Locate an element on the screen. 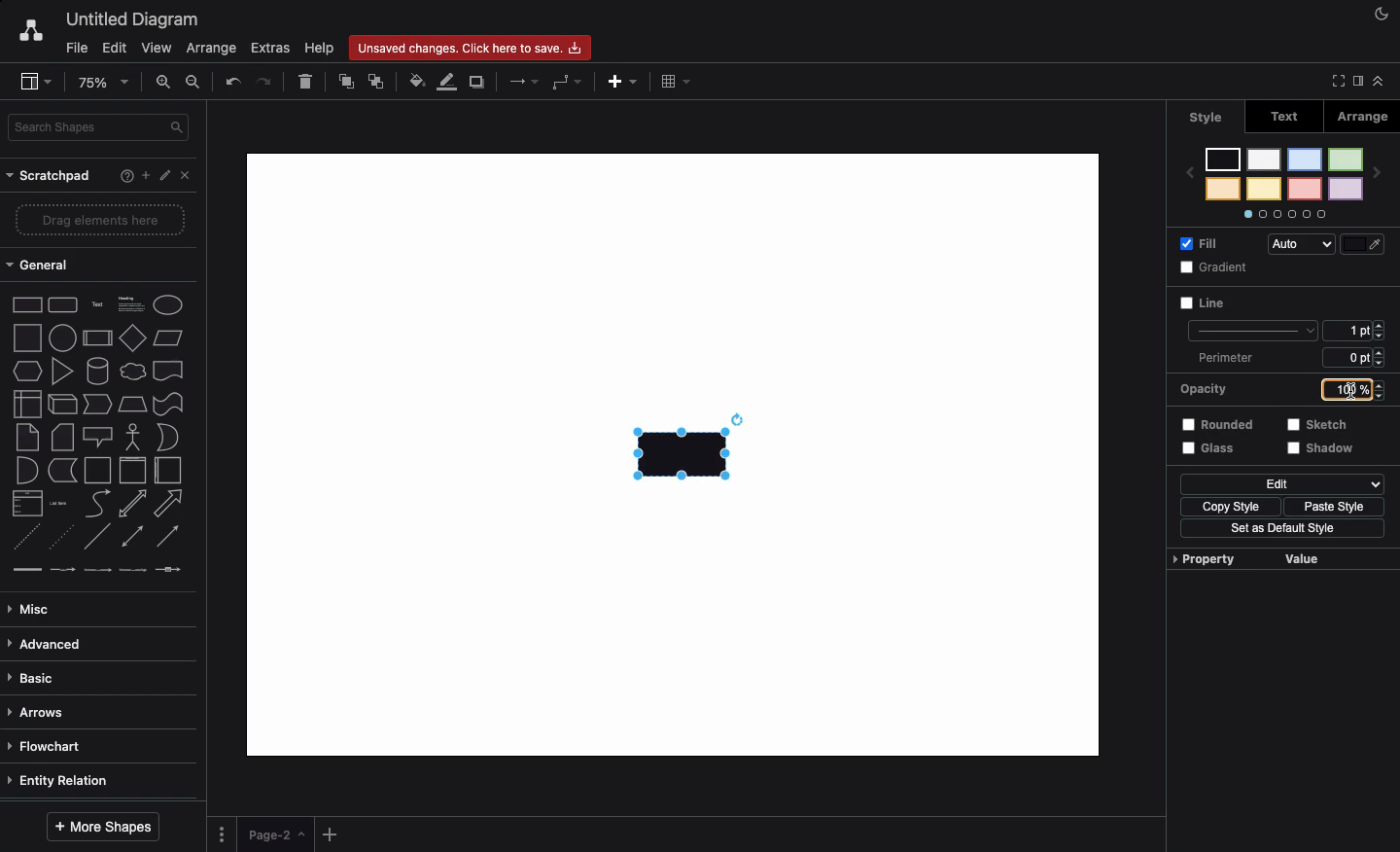 This screenshot has width=1400, height=852. Fill color is located at coordinates (415, 79).